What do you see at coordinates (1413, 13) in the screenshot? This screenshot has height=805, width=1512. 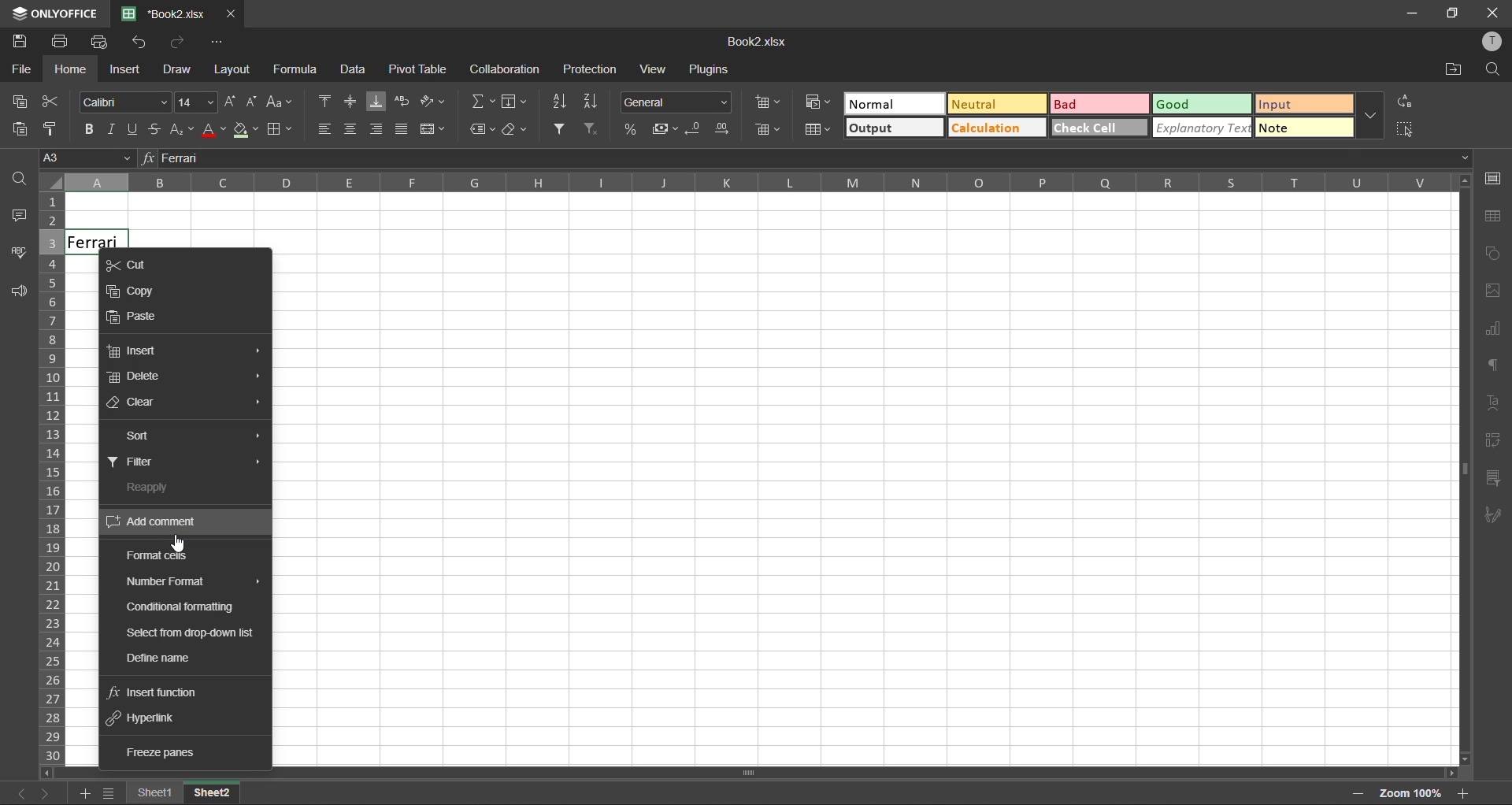 I see `Minimize ` at bounding box center [1413, 13].